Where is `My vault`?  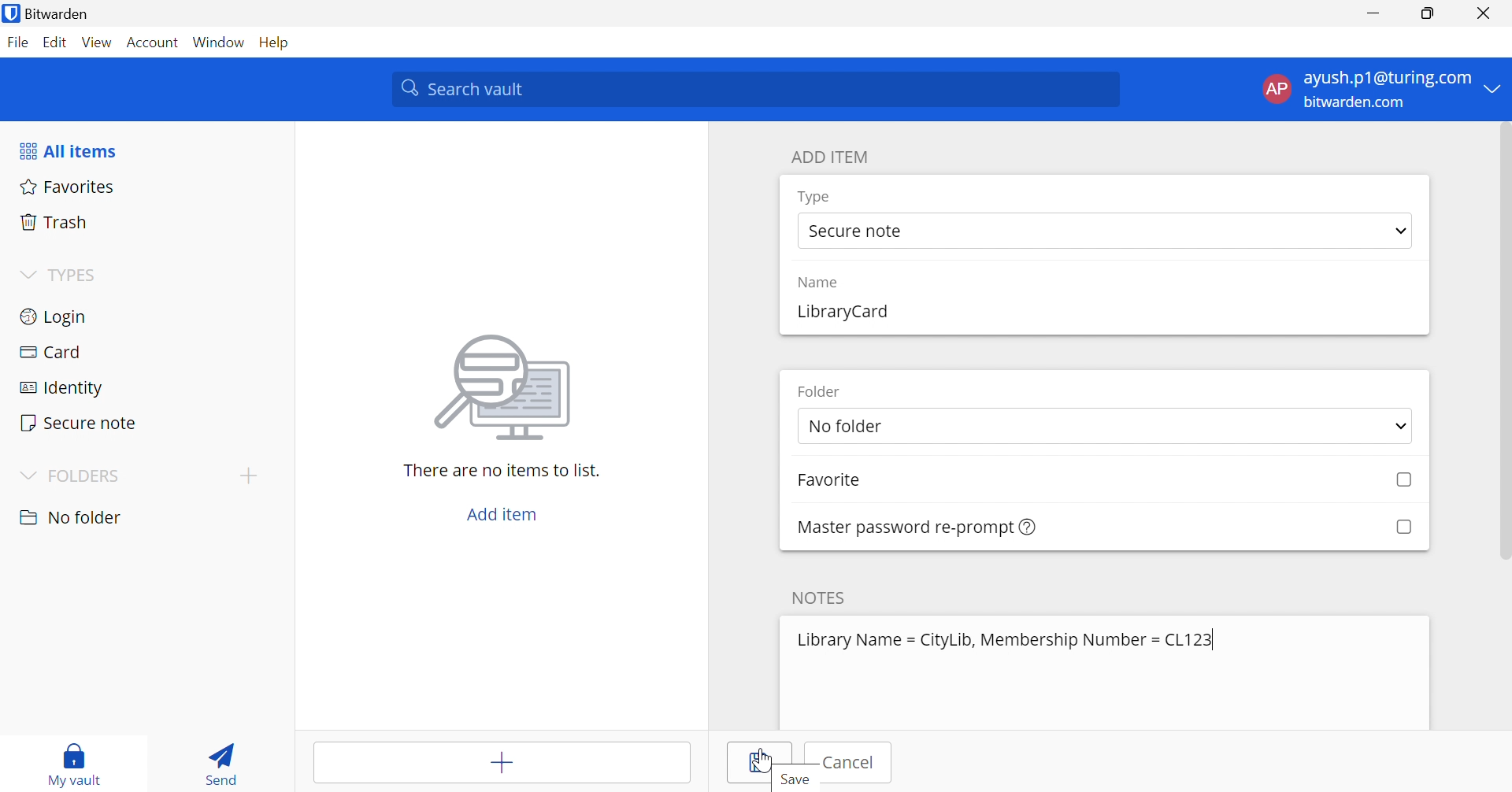 My vault is located at coordinates (76, 764).